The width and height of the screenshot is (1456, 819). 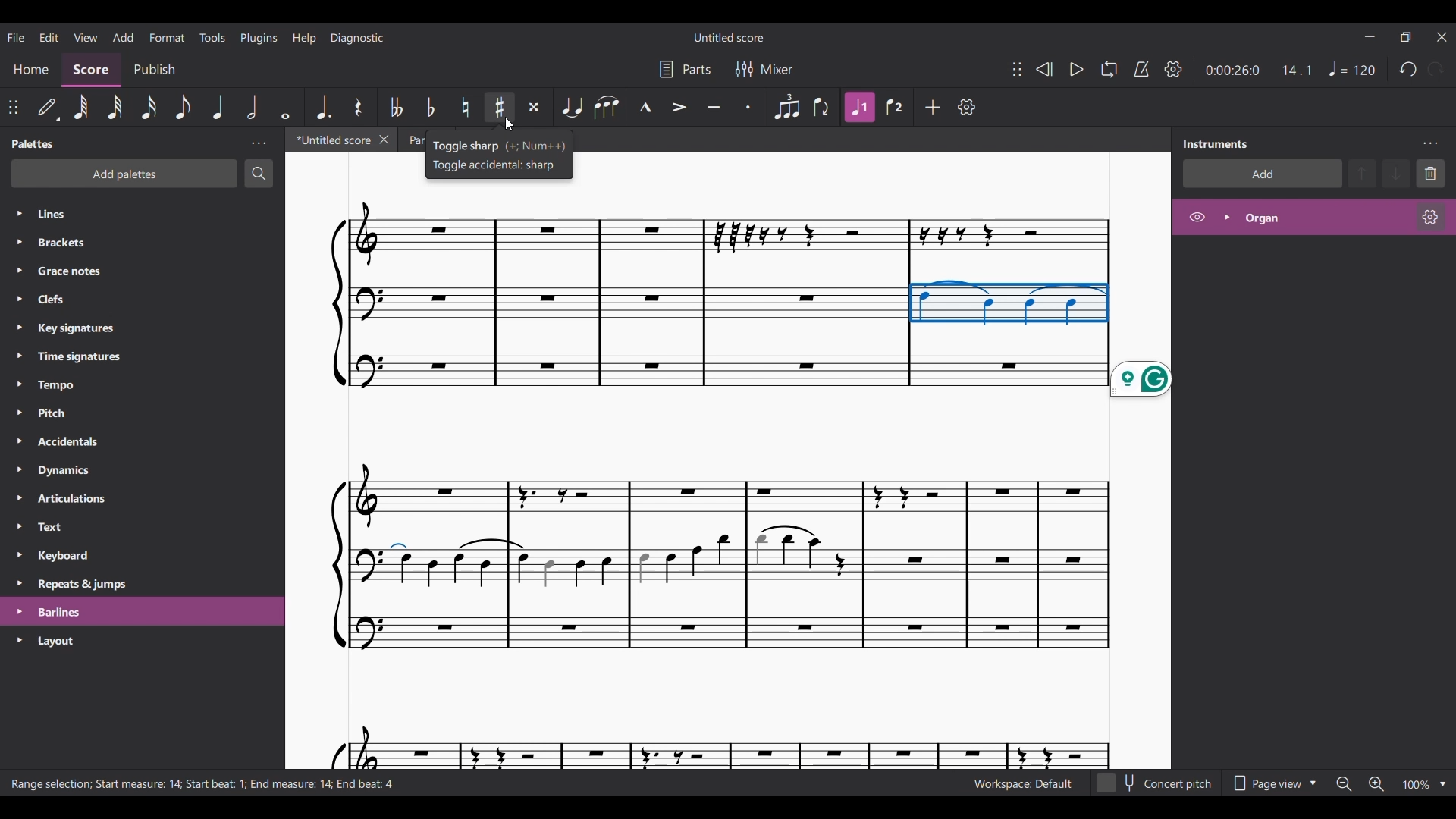 What do you see at coordinates (572, 108) in the screenshot?
I see `Tie` at bounding box center [572, 108].